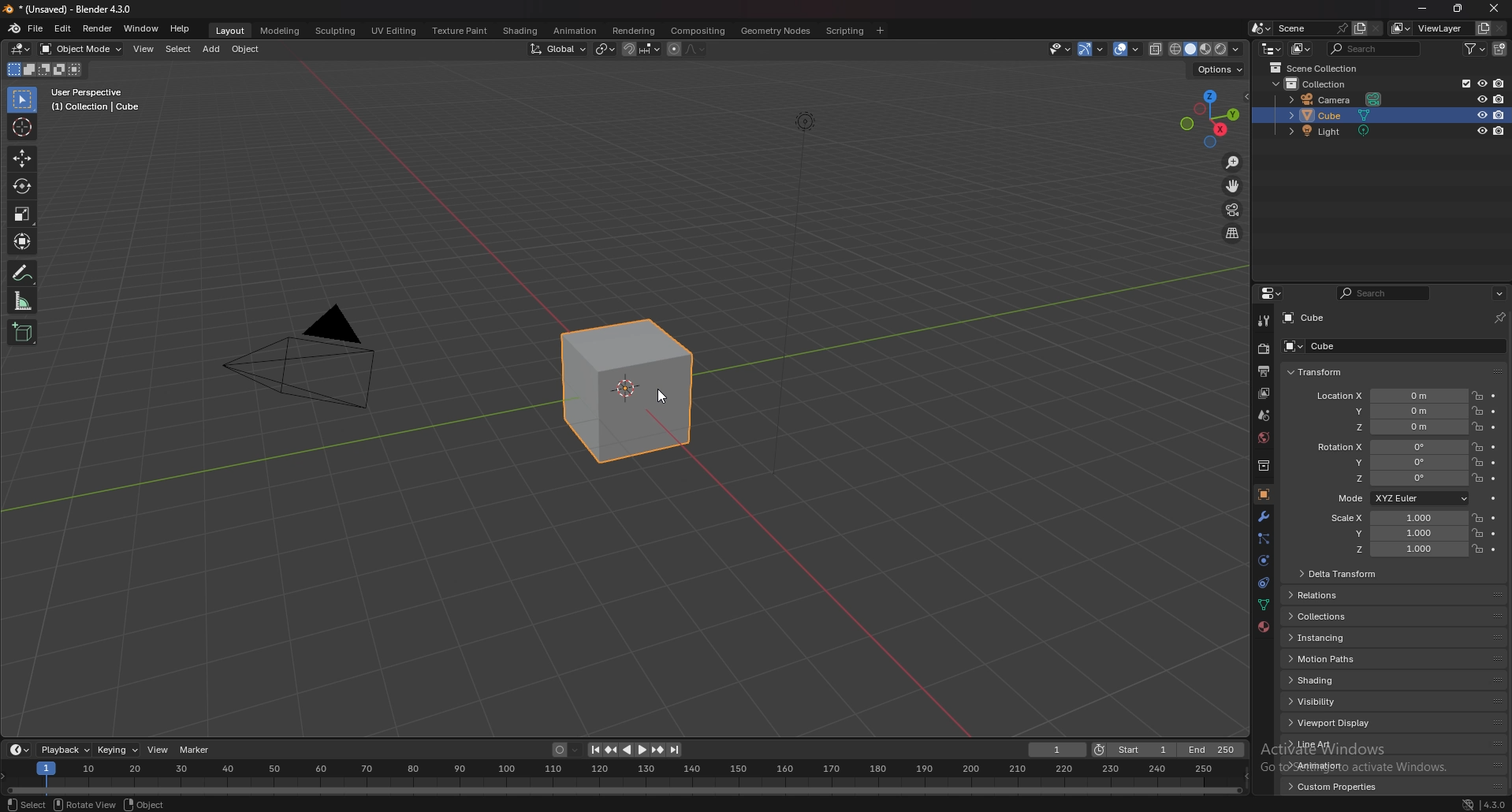 The height and width of the screenshot is (812, 1512). What do you see at coordinates (1499, 115) in the screenshot?
I see `disable in renders` at bounding box center [1499, 115].